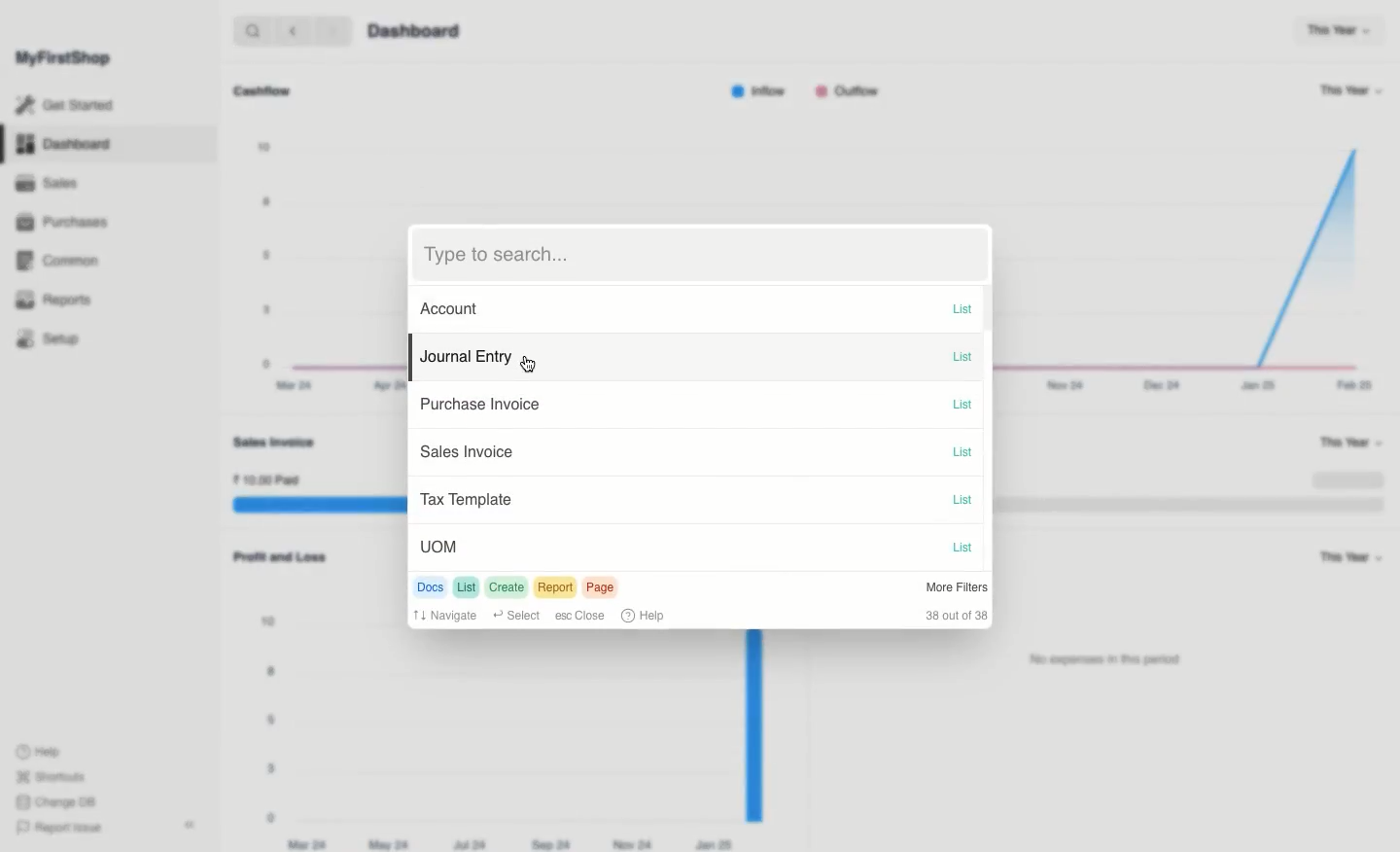 This screenshot has width=1400, height=852. I want to click on Page, so click(599, 586).